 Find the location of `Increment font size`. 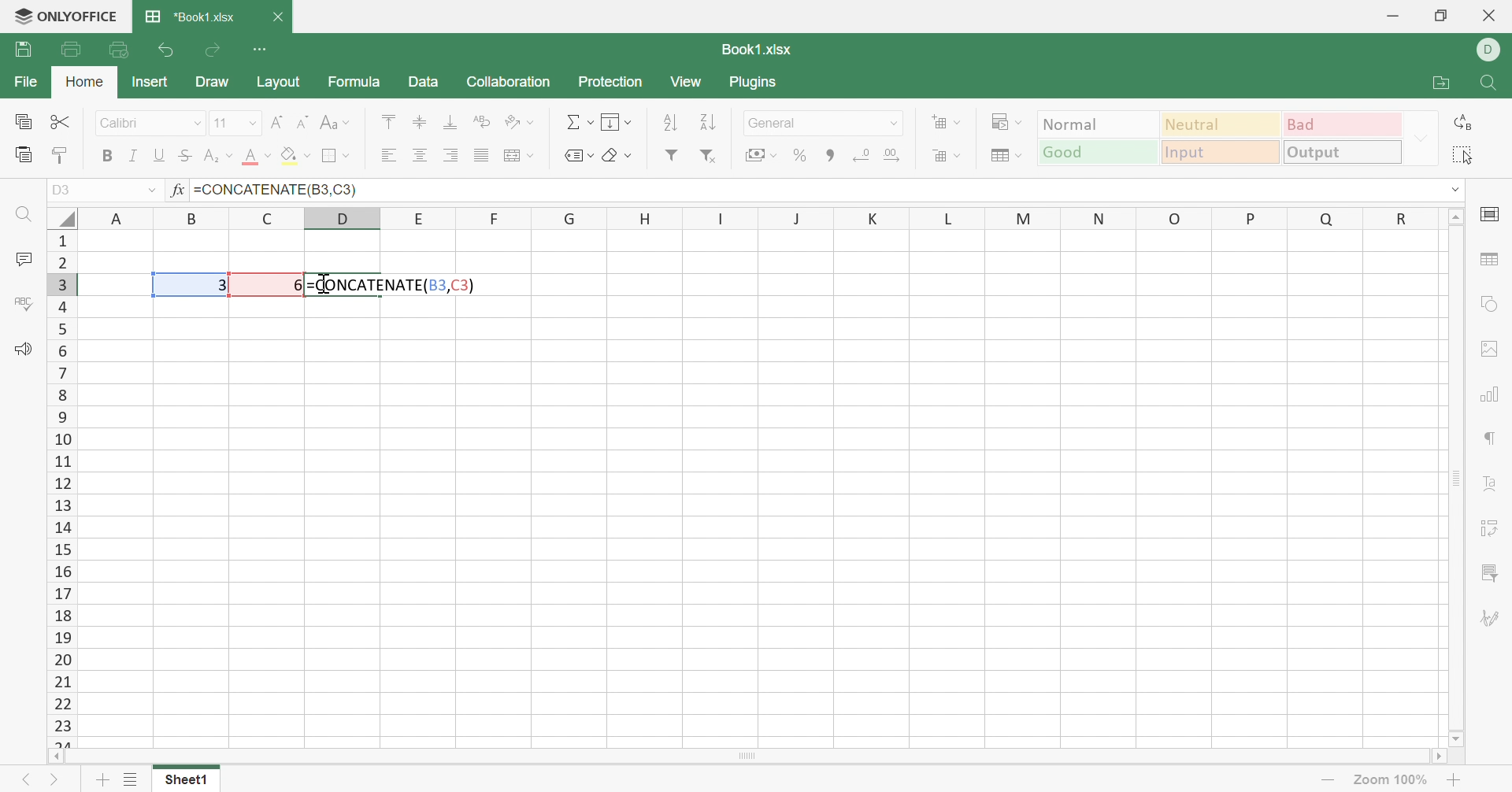

Increment font size is located at coordinates (277, 124).